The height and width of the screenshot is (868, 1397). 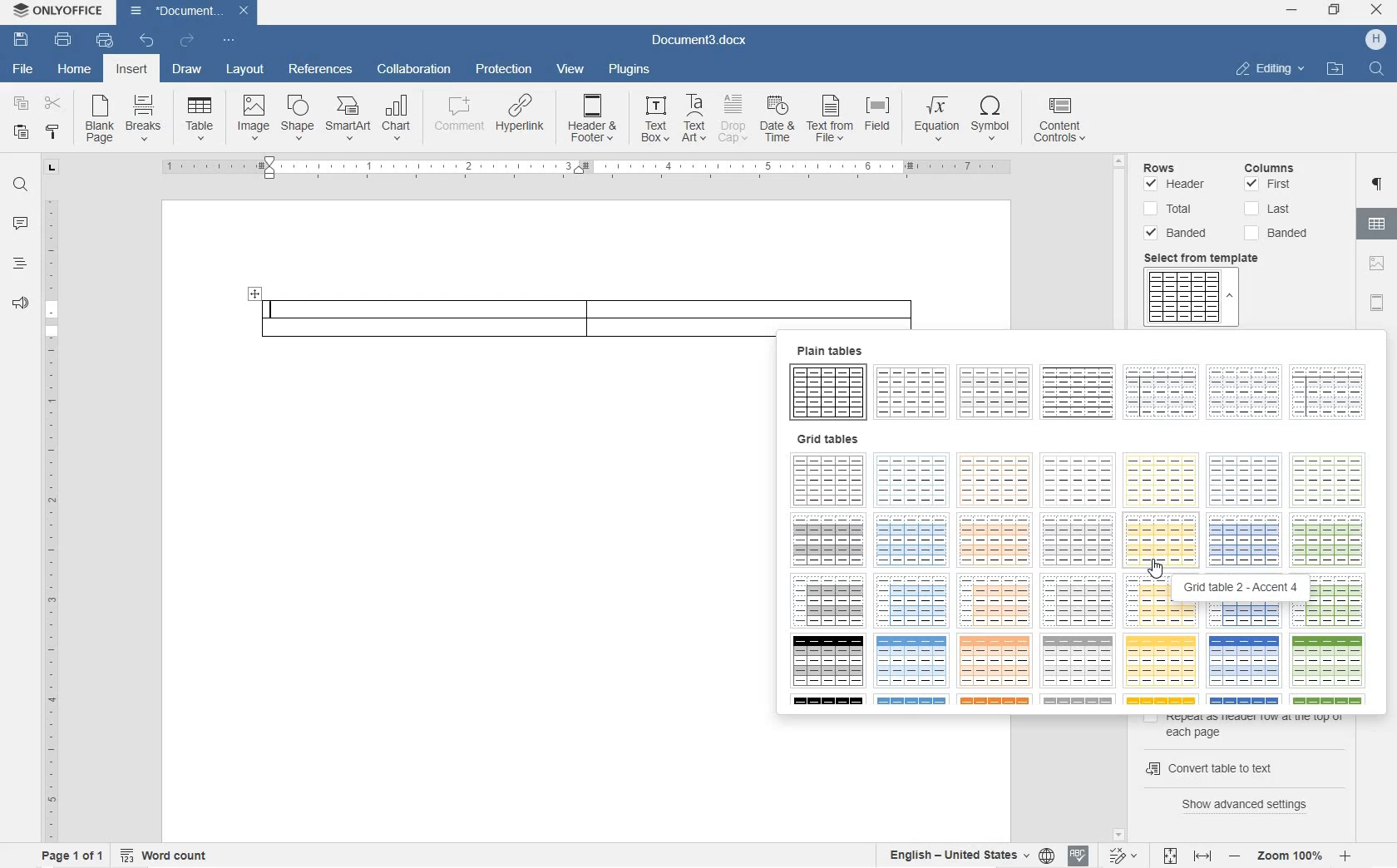 What do you see at coordinates (1179, 185) in the screenshot?
I see `Header` at bounding box center [1179, 185].